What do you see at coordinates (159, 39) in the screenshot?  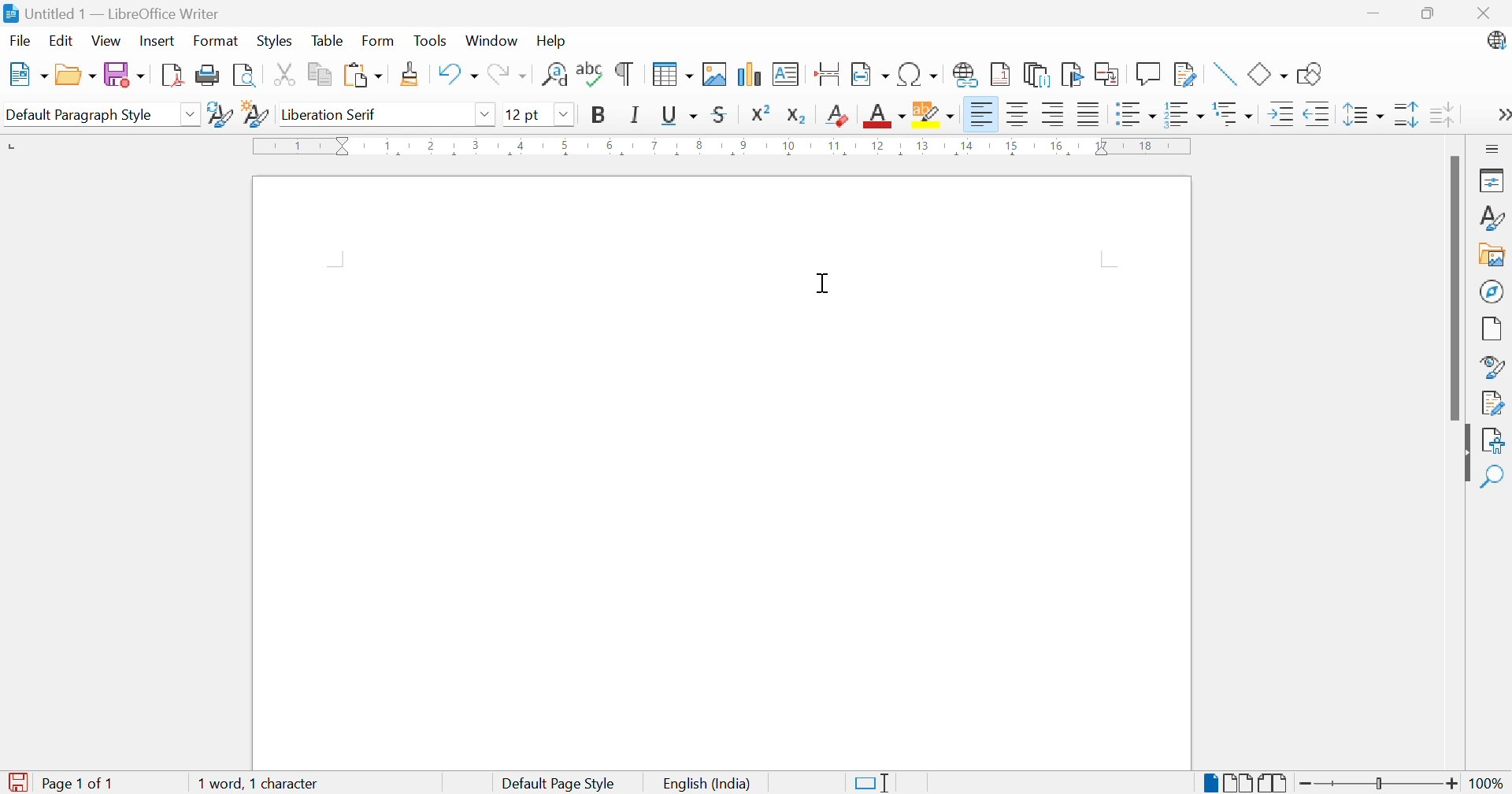 I see `Insert` at bounding box center [159, 39].